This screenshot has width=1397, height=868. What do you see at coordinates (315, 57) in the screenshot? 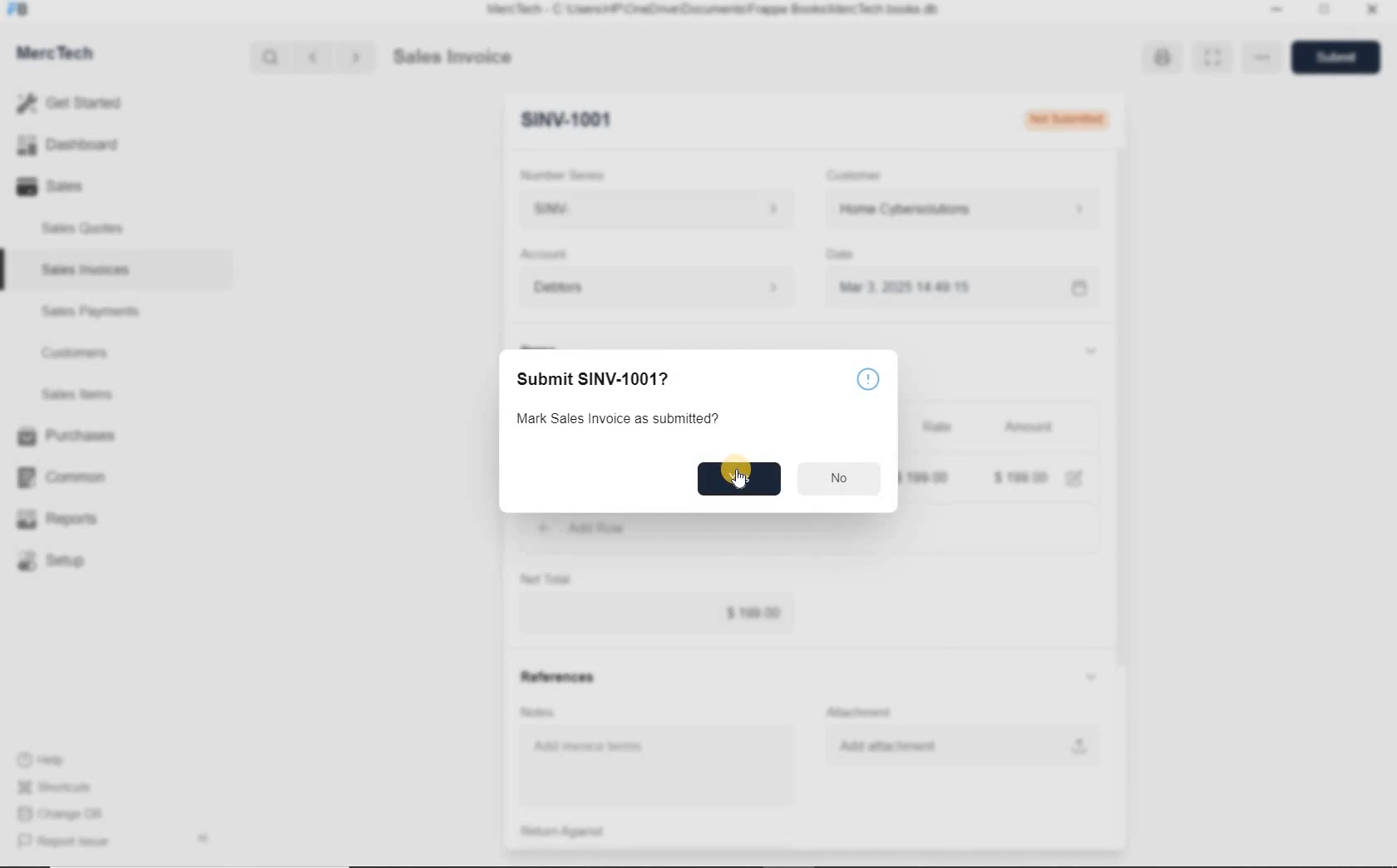
I see `Go back` at bounding box center [315, 57].